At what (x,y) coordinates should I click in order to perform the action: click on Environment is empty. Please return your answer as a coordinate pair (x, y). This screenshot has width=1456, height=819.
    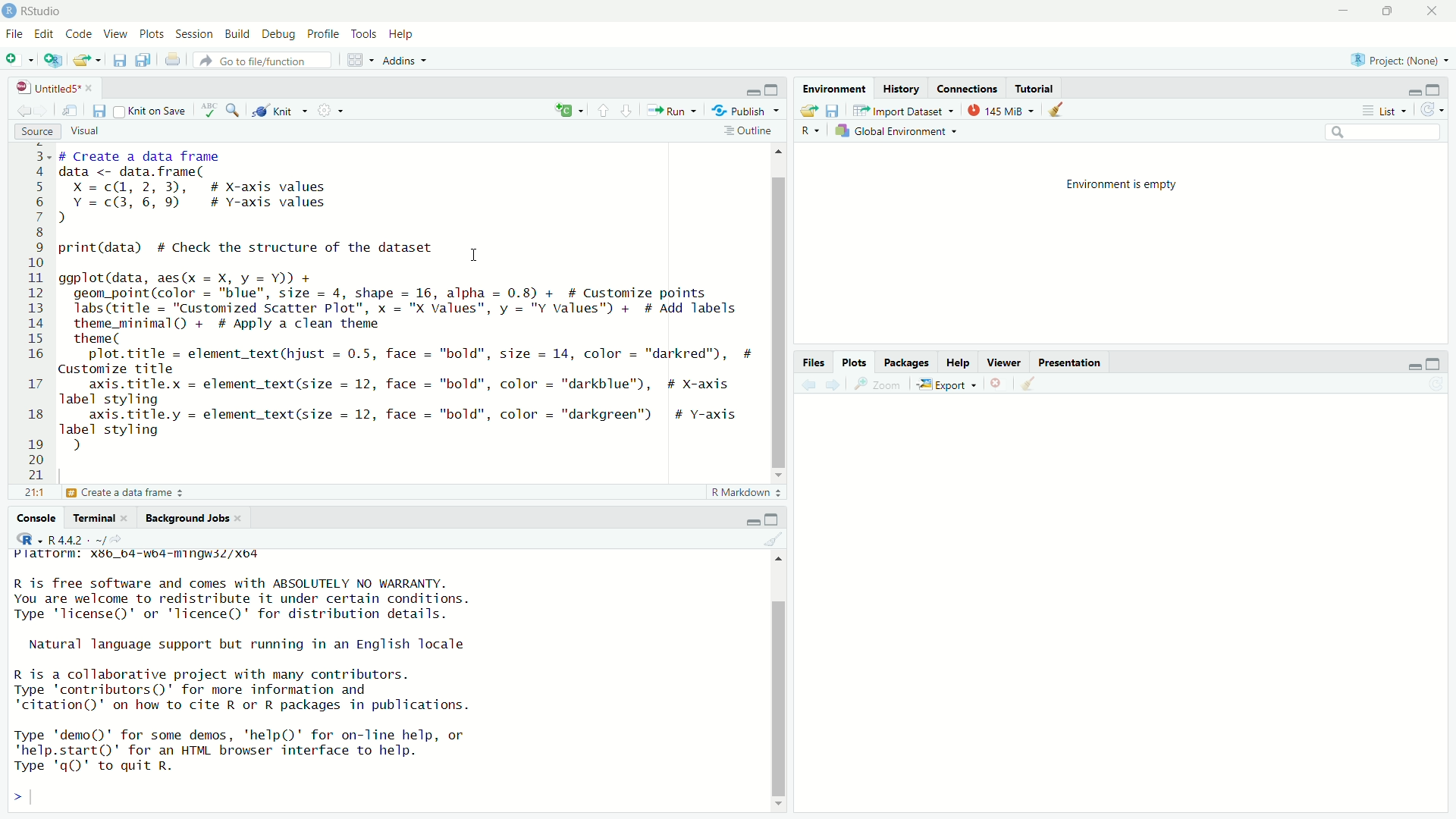
    Looking at the image, I should click on (1122, 185).